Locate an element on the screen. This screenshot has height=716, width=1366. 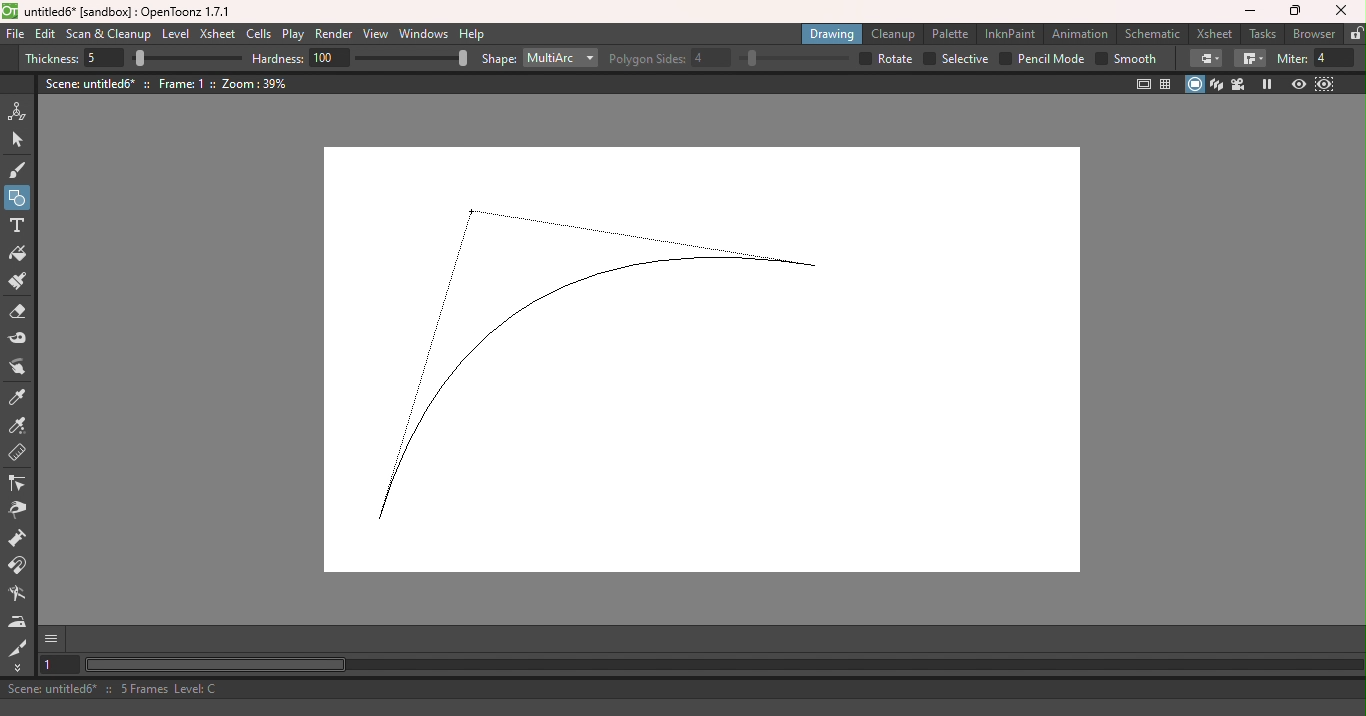
Thickness bar is located at coordinates (186, 57).